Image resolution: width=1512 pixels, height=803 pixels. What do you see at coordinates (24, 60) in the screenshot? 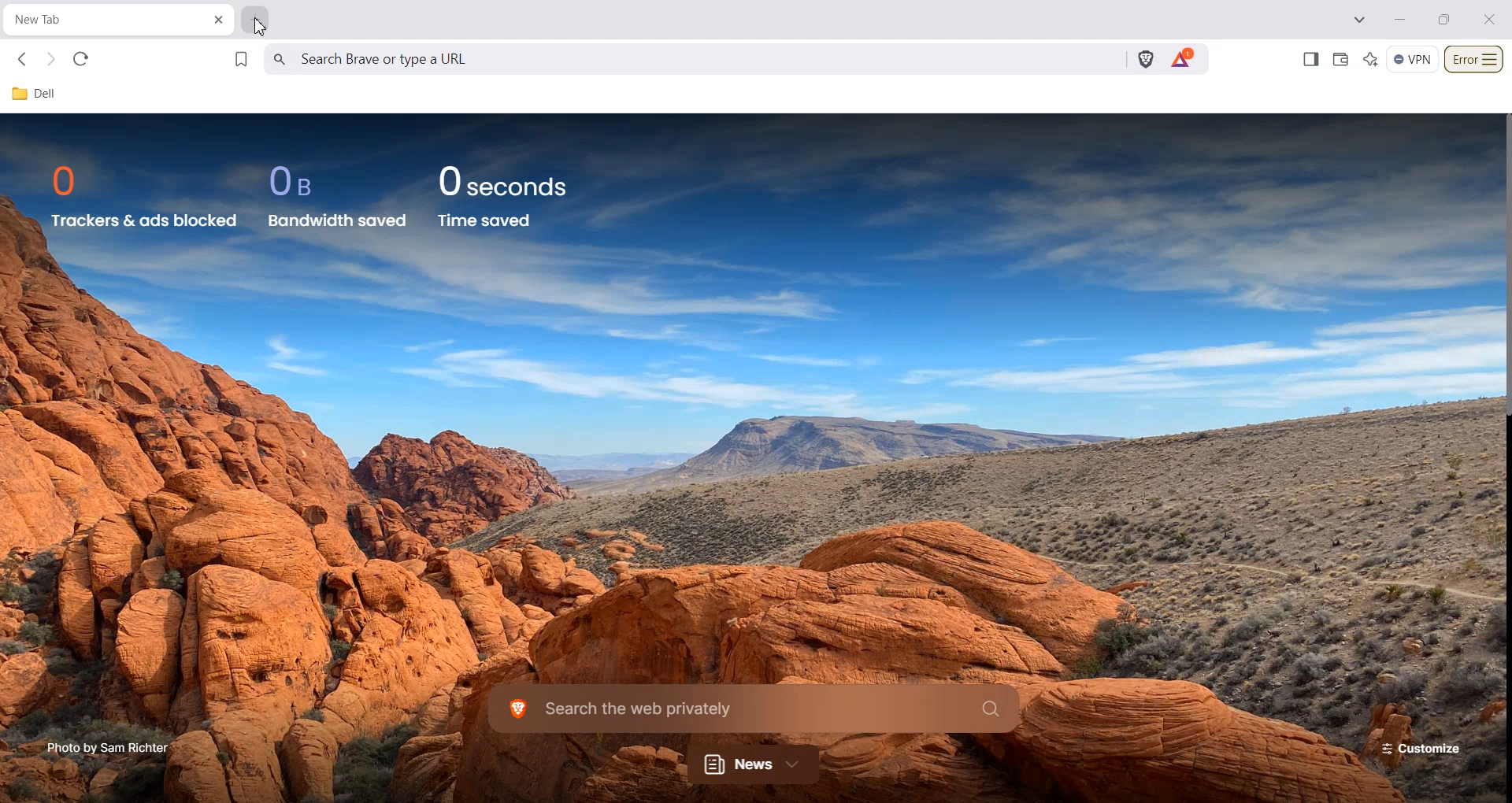
I see `Back` at bounding box center [24, 60].